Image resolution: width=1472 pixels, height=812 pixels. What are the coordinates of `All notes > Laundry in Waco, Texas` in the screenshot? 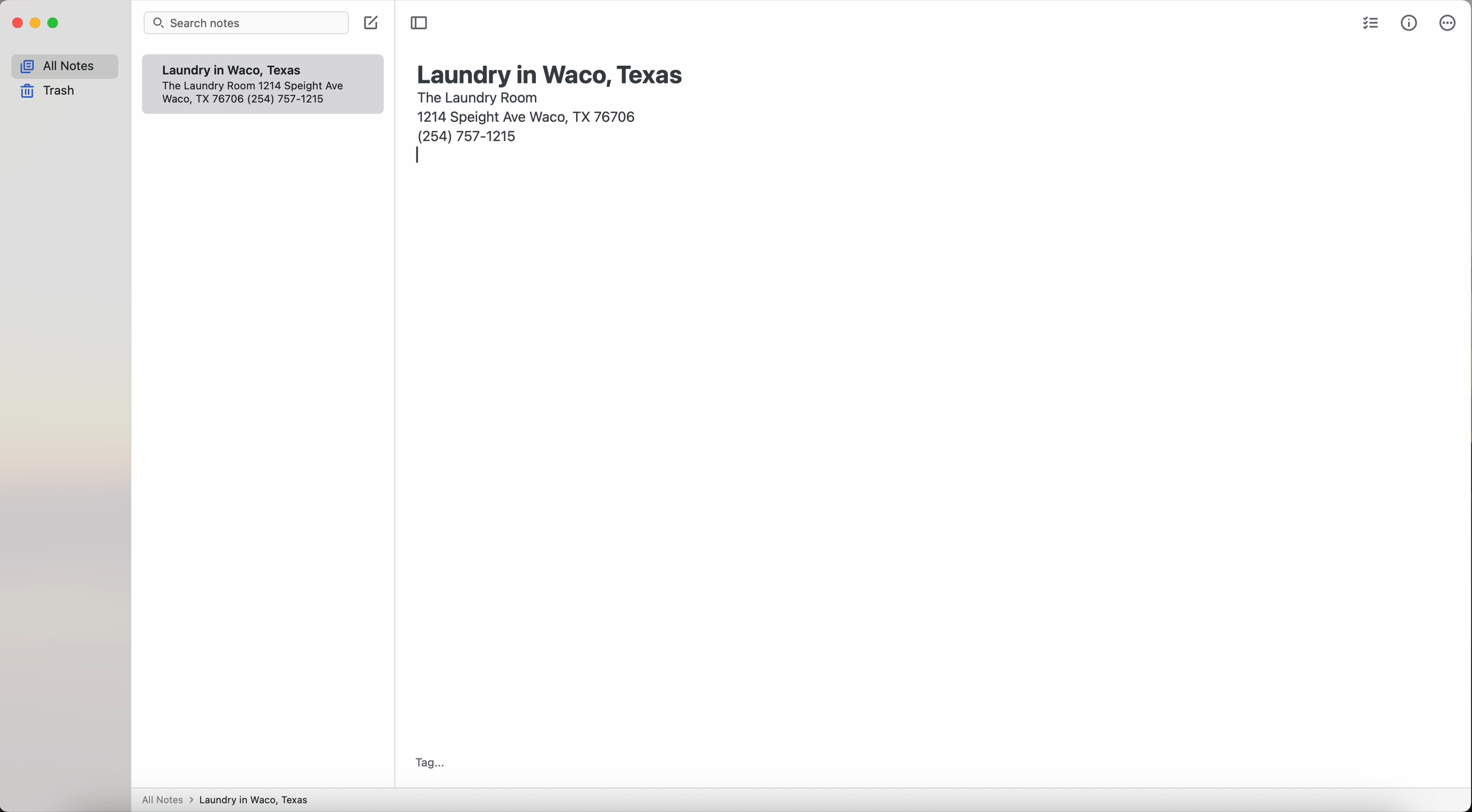 It's located at (230, 801).